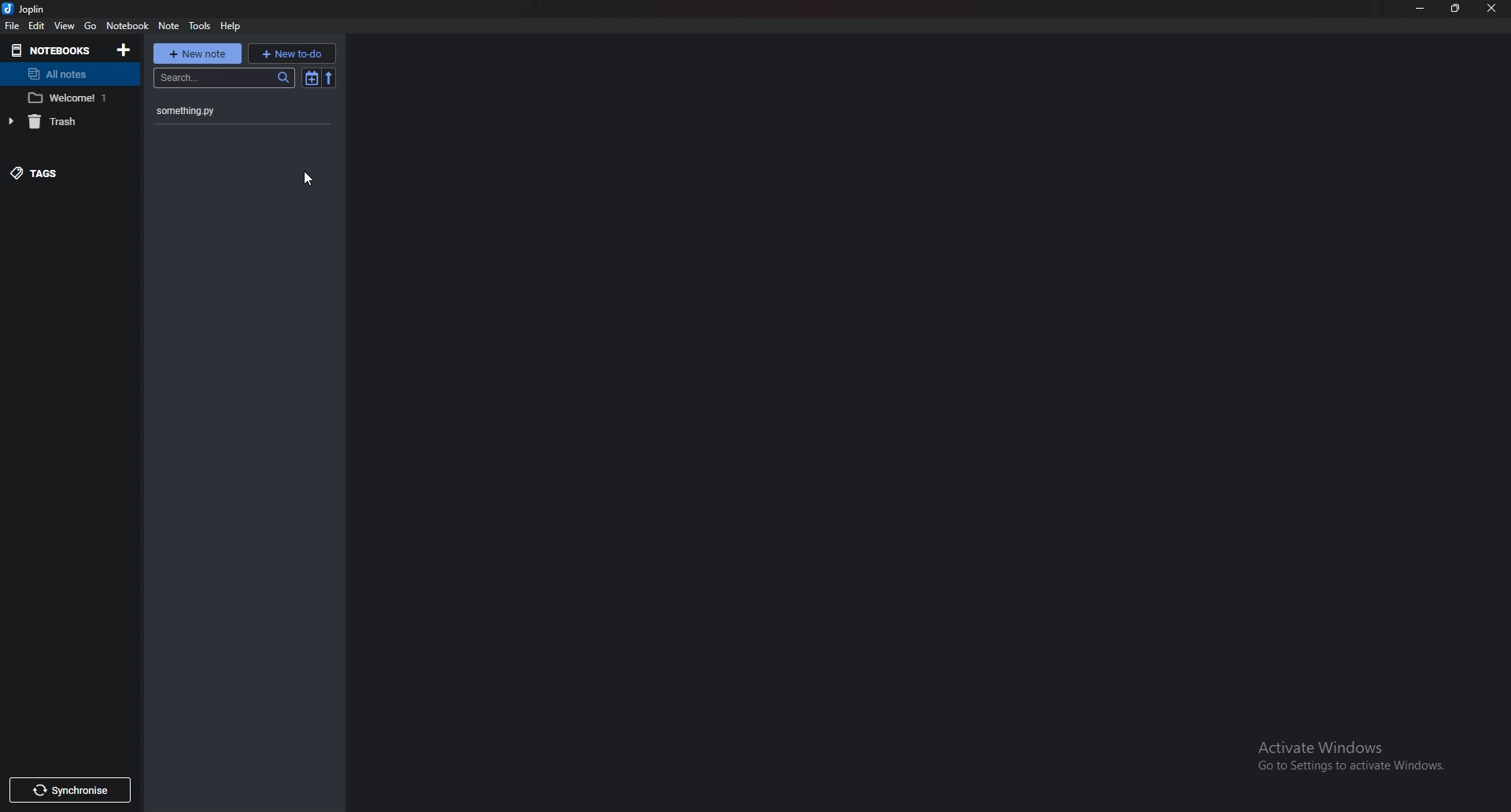 The height and width of the screenshot is (812, 1511). Describe the element at coordinates (1455, 7) in the screenshot. I see `Restore down` at that location.